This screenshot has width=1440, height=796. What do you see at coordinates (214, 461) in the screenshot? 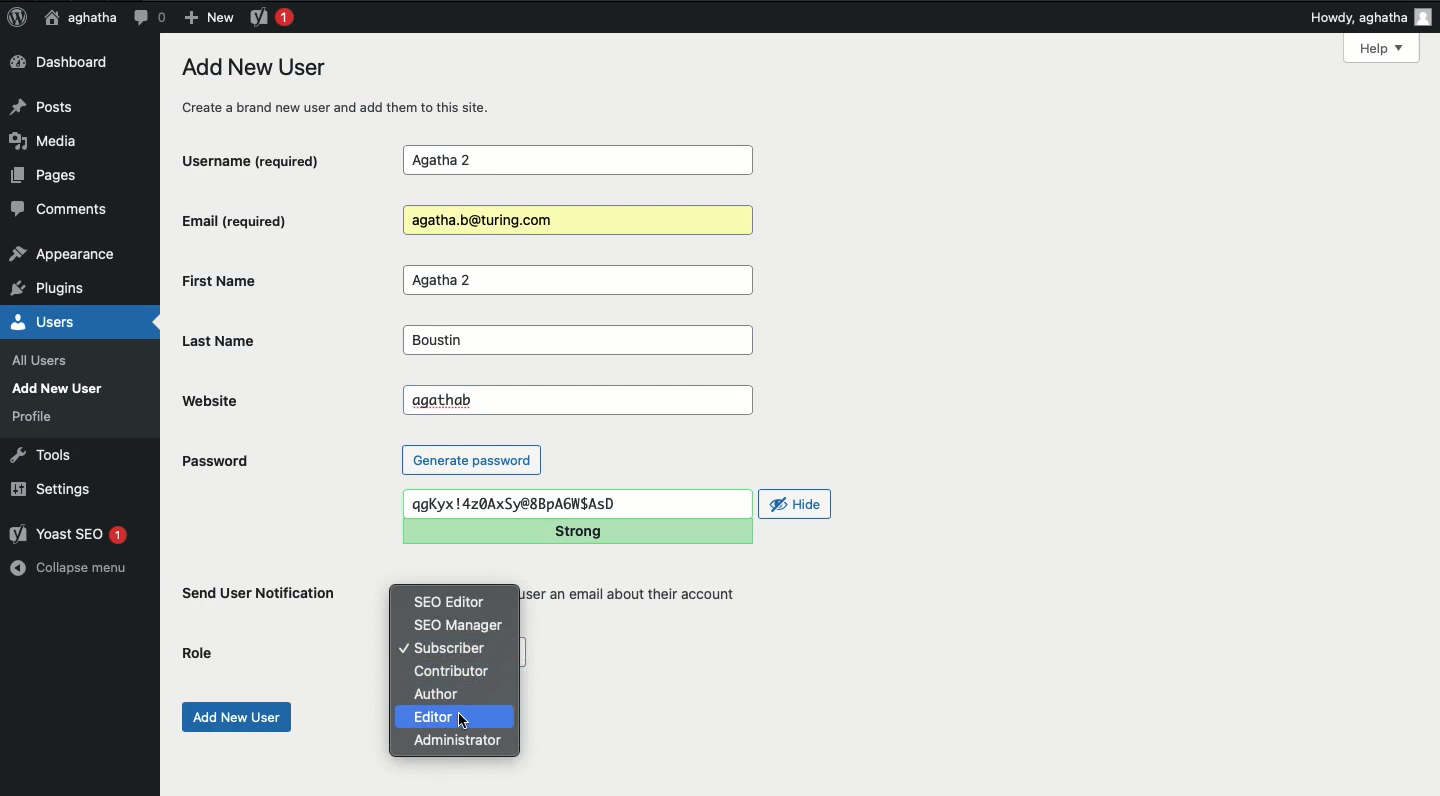
I see `Password` at bounding box center [214, 461].